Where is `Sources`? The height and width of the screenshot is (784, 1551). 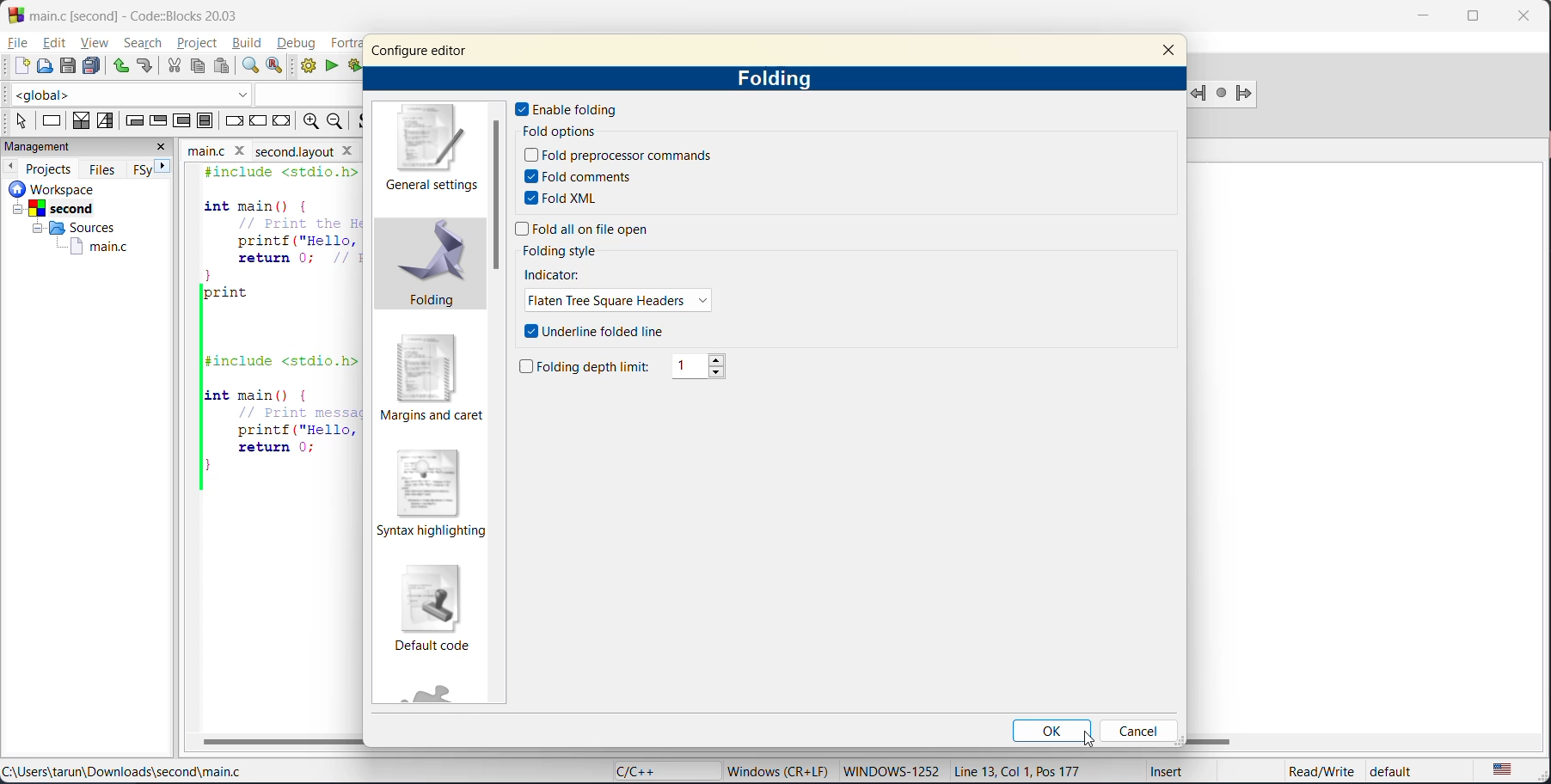 Sources is located at coordinates (70, 228).